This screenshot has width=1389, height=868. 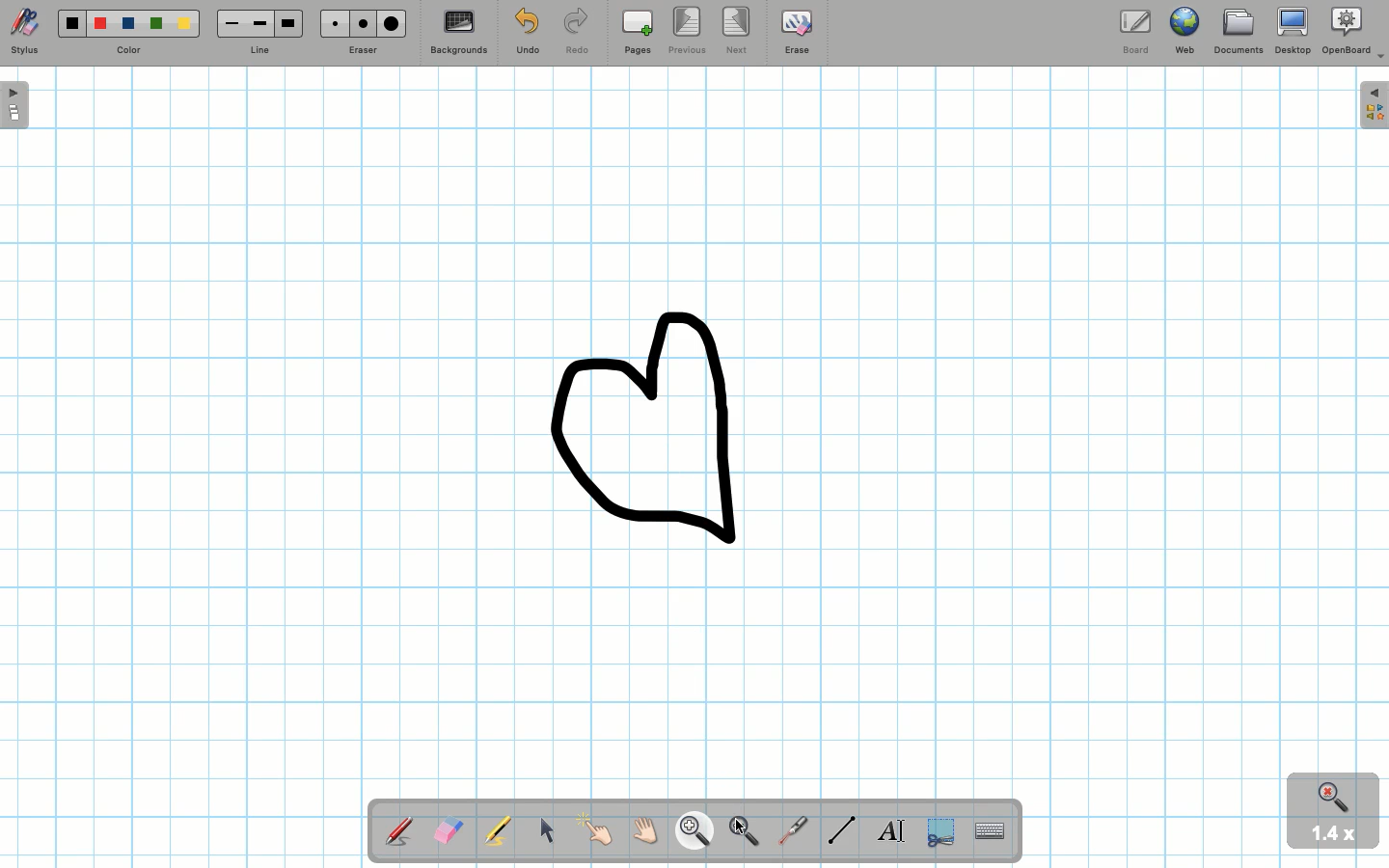 I want to click on Stylus, so click(x=398, y=830).